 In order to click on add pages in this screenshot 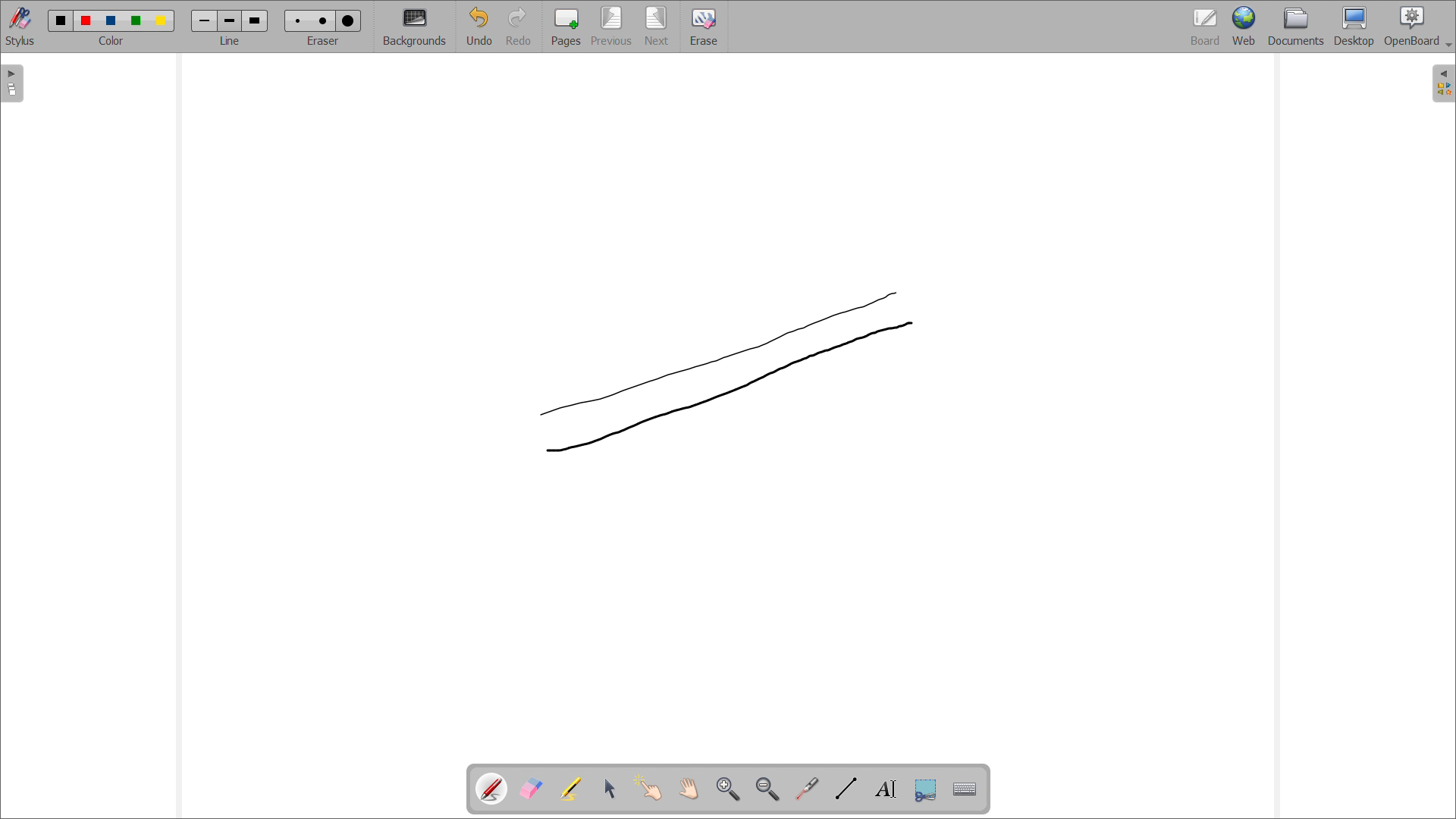, I will do `click(566, 27)`.